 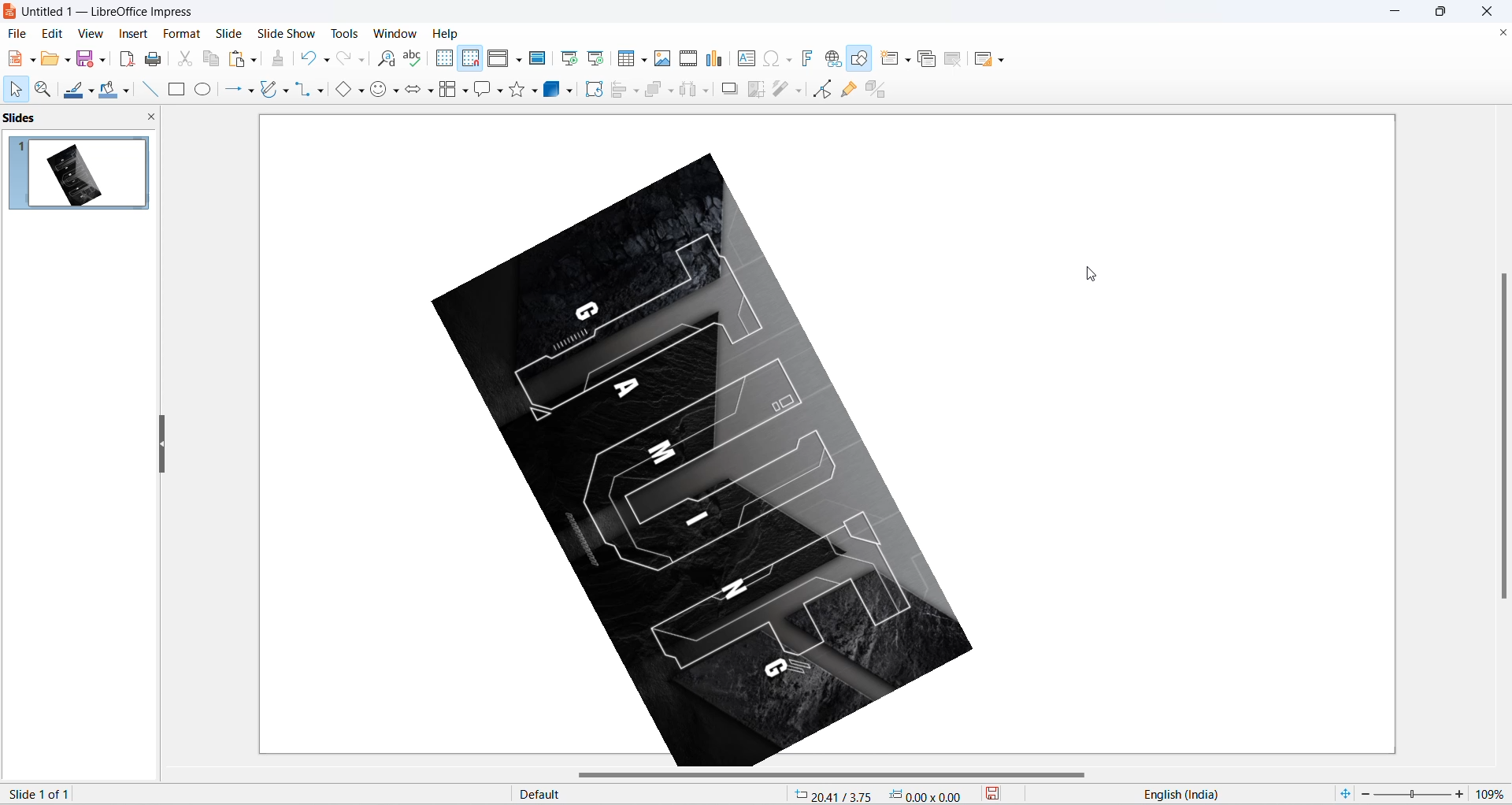 What do you see at coordinates (1503, 434) in the screenshot?
I see `vertical scroll bar` at bounding box center [1503, 434].